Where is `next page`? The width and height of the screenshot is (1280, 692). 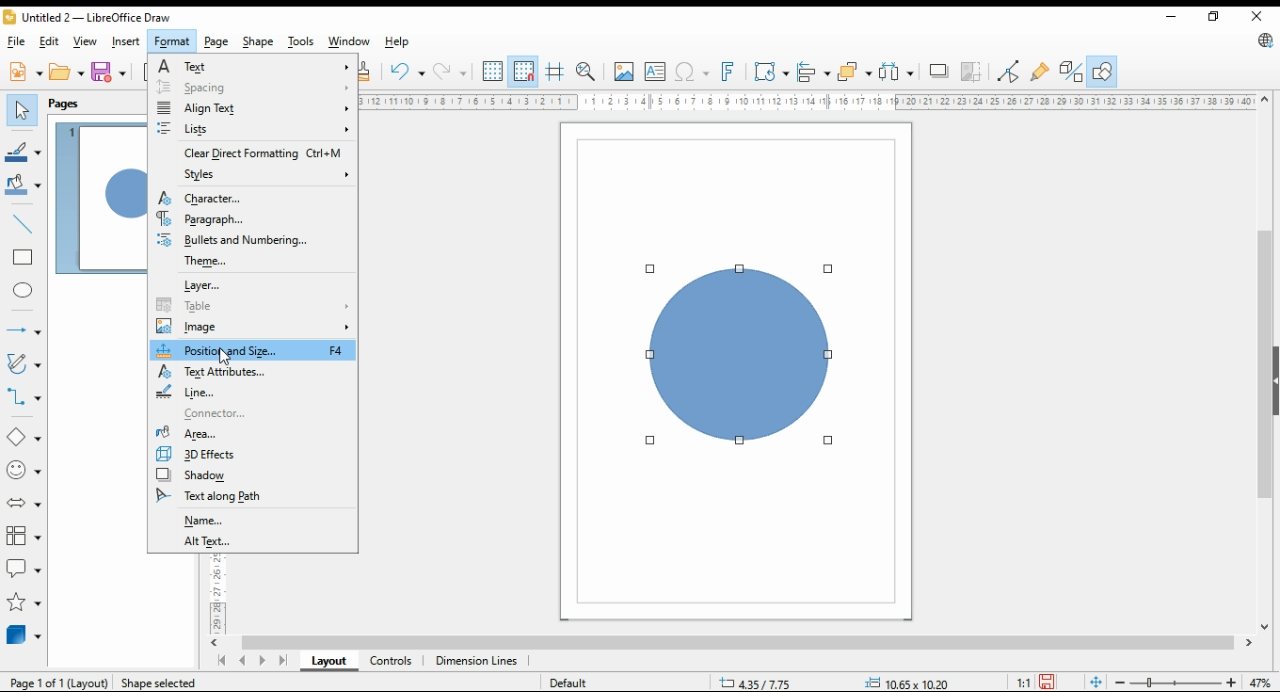 next page is located at coordinates (261, 660).